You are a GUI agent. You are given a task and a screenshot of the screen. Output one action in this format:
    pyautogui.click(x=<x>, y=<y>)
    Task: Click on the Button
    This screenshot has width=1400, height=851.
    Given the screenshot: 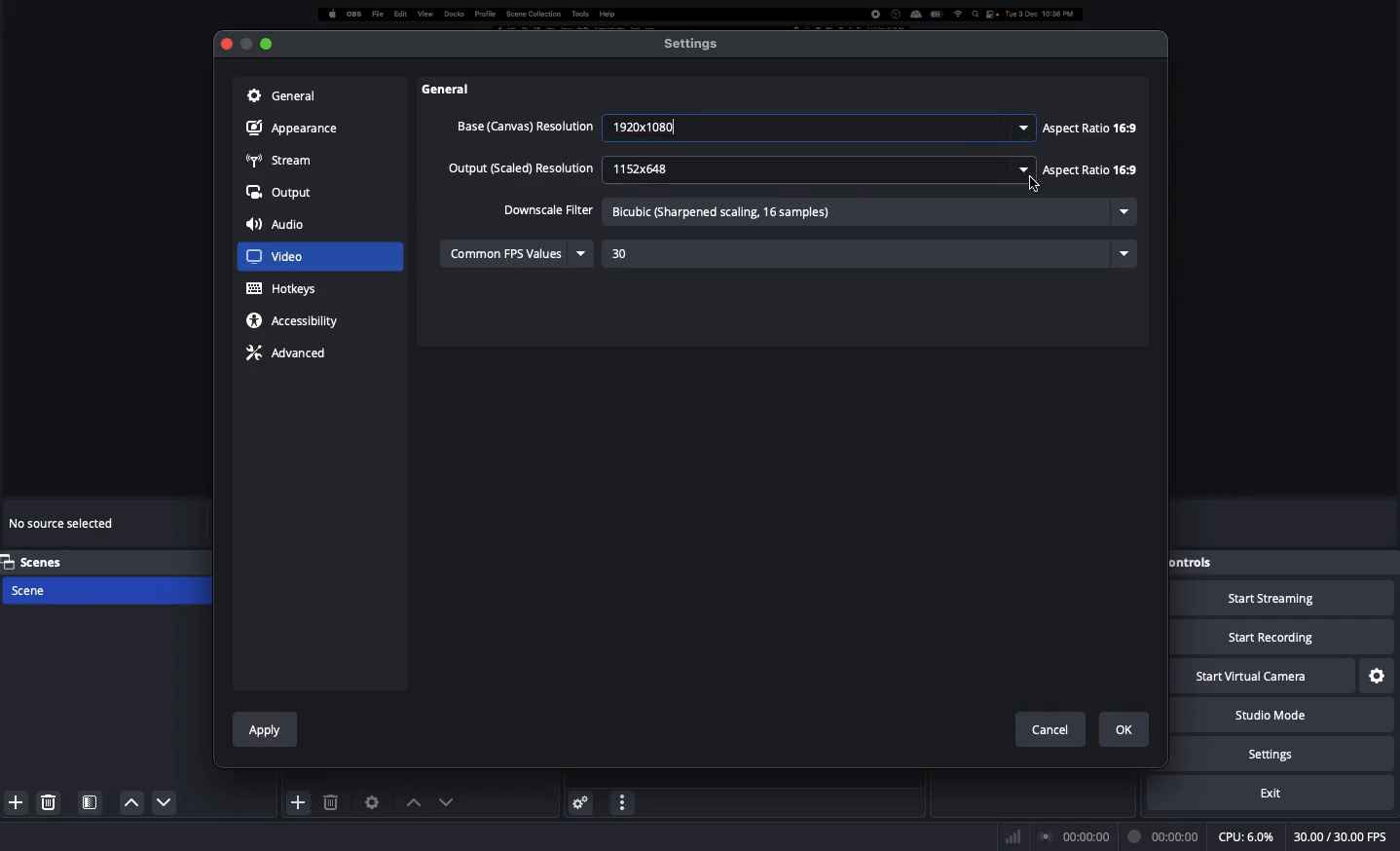 What is the action you would take?
    pyautogui.click(x=245, y=44)
    